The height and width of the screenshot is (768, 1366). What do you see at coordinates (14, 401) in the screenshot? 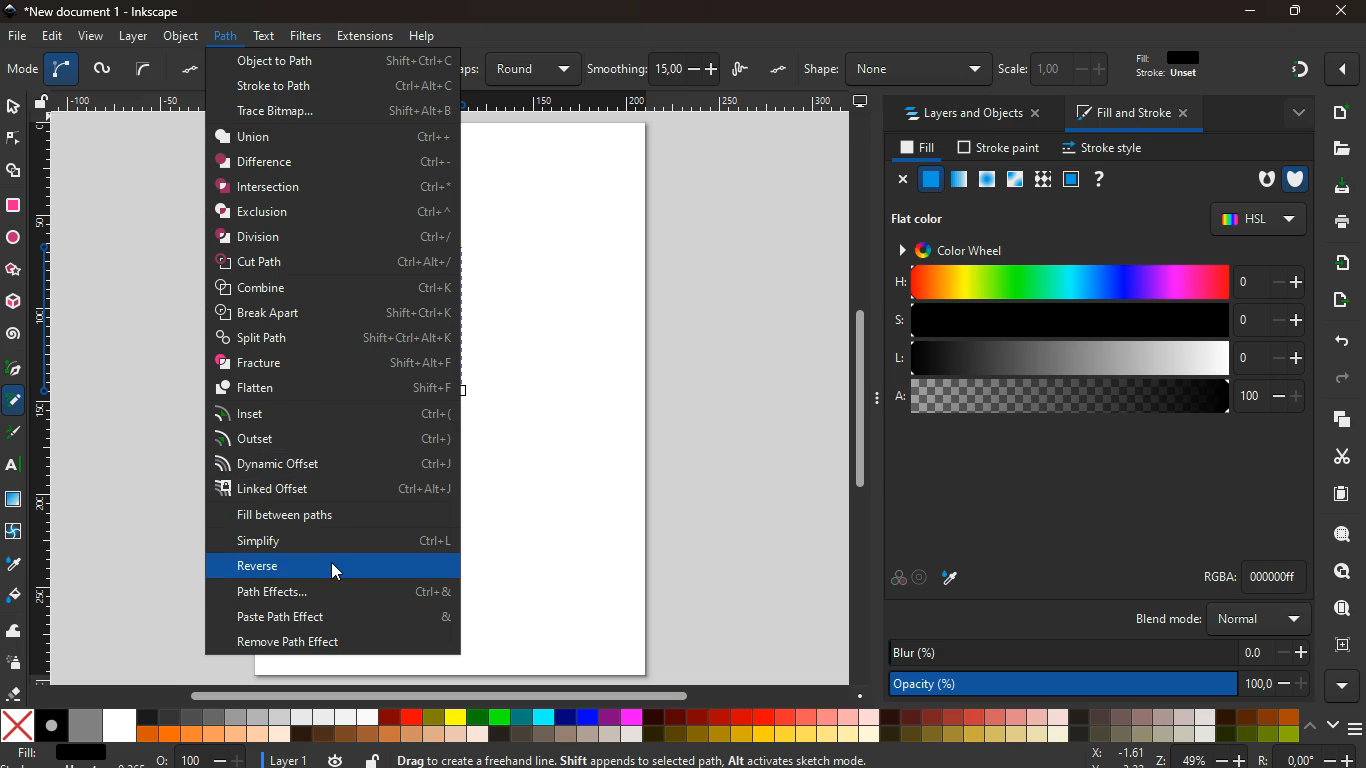
I see `coloring` at bounding box center [14, 401].